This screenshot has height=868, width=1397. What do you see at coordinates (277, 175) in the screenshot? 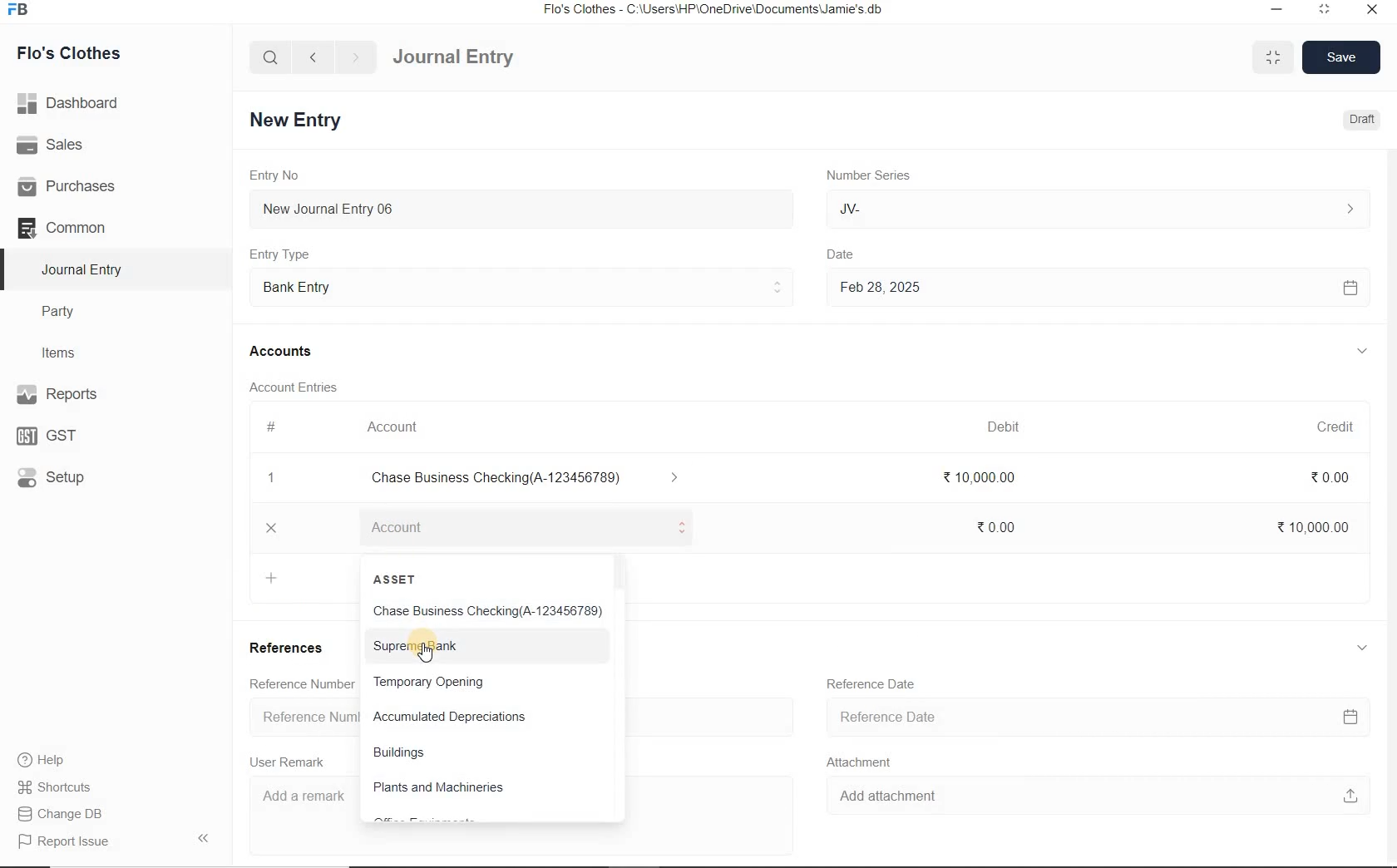
I see `Entry No` at bounding box center [277, 175].